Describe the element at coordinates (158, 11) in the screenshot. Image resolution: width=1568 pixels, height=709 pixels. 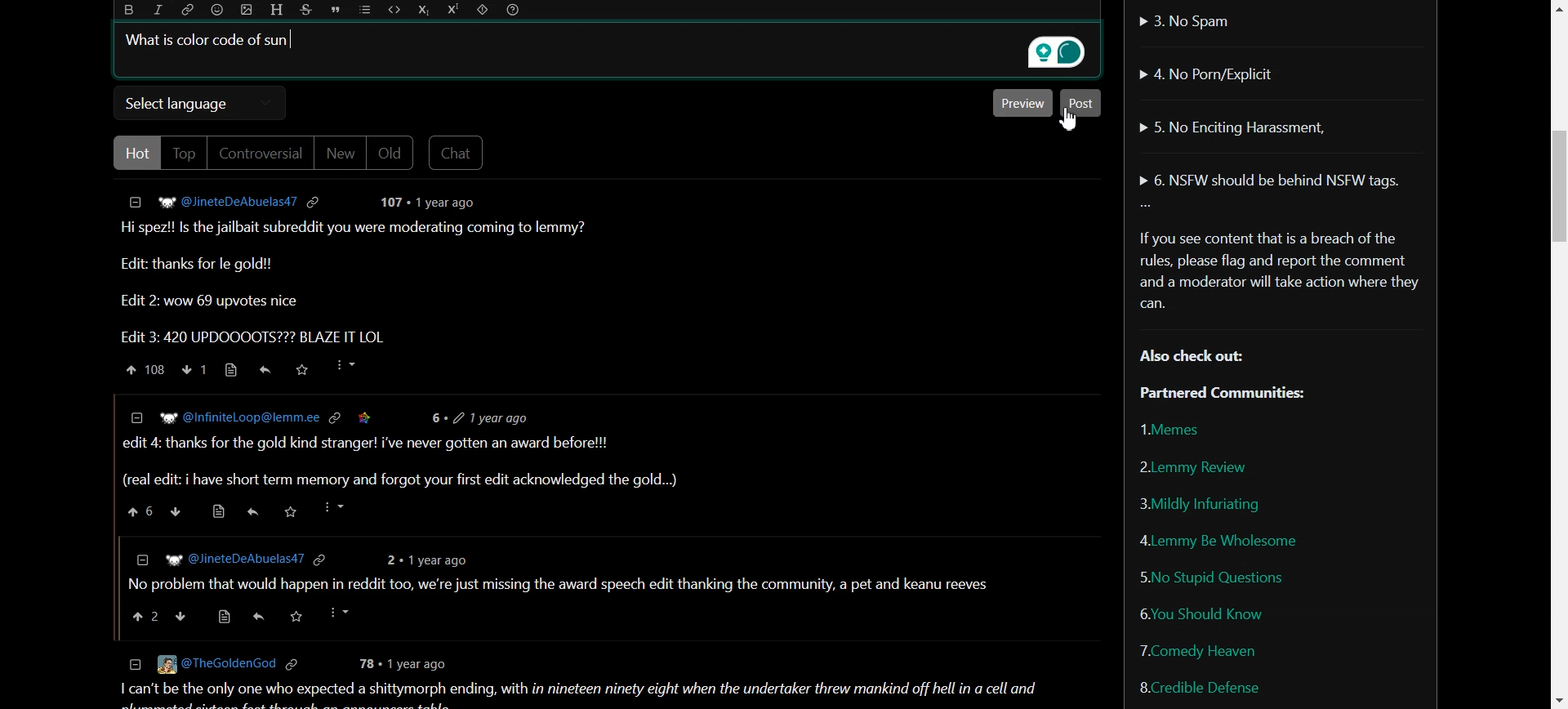
I see `Italic` at that location.